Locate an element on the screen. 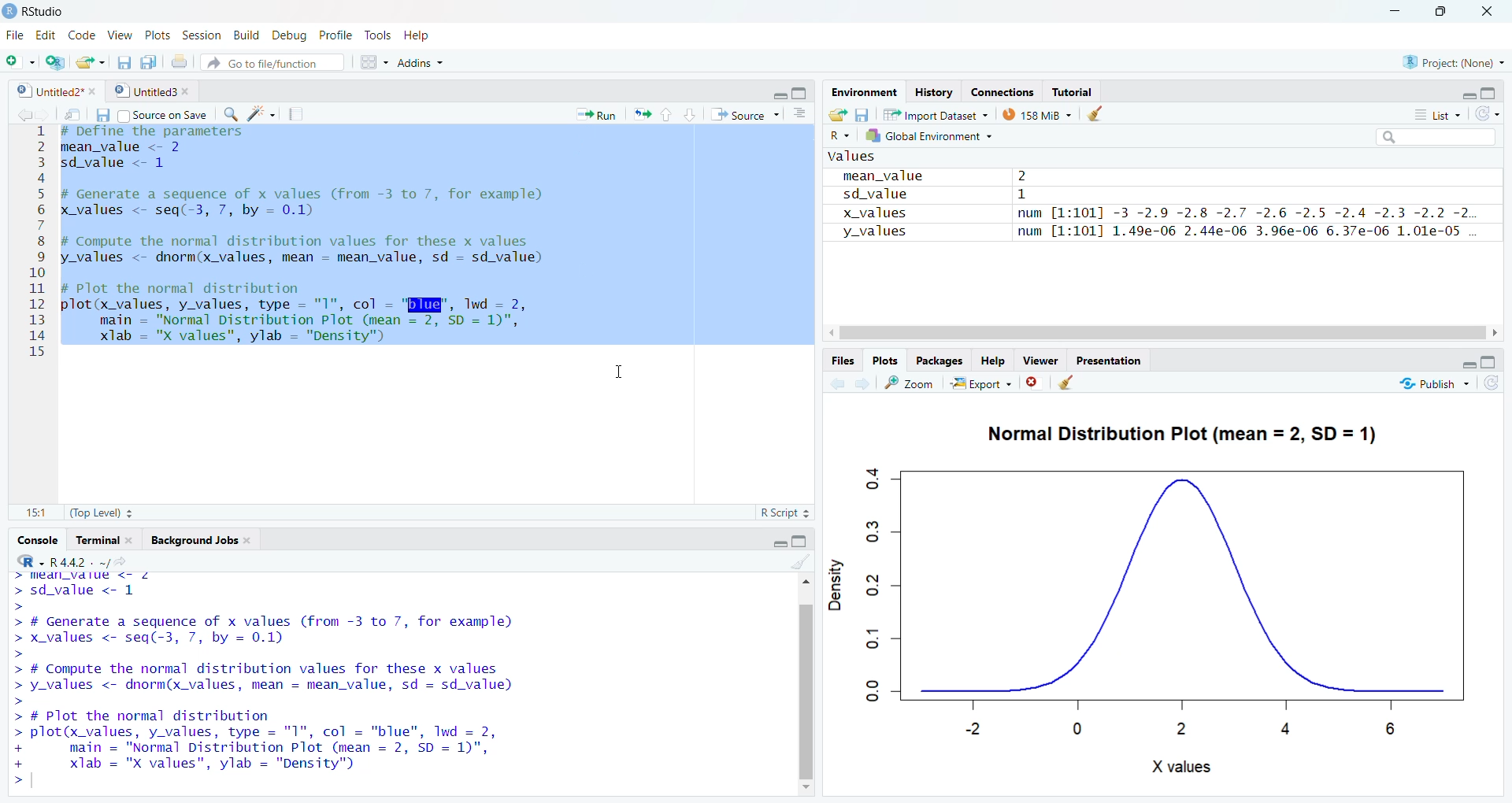 The height and width of the screenshot is (803, 1512). RStudio is located at coordinates (42, 11).